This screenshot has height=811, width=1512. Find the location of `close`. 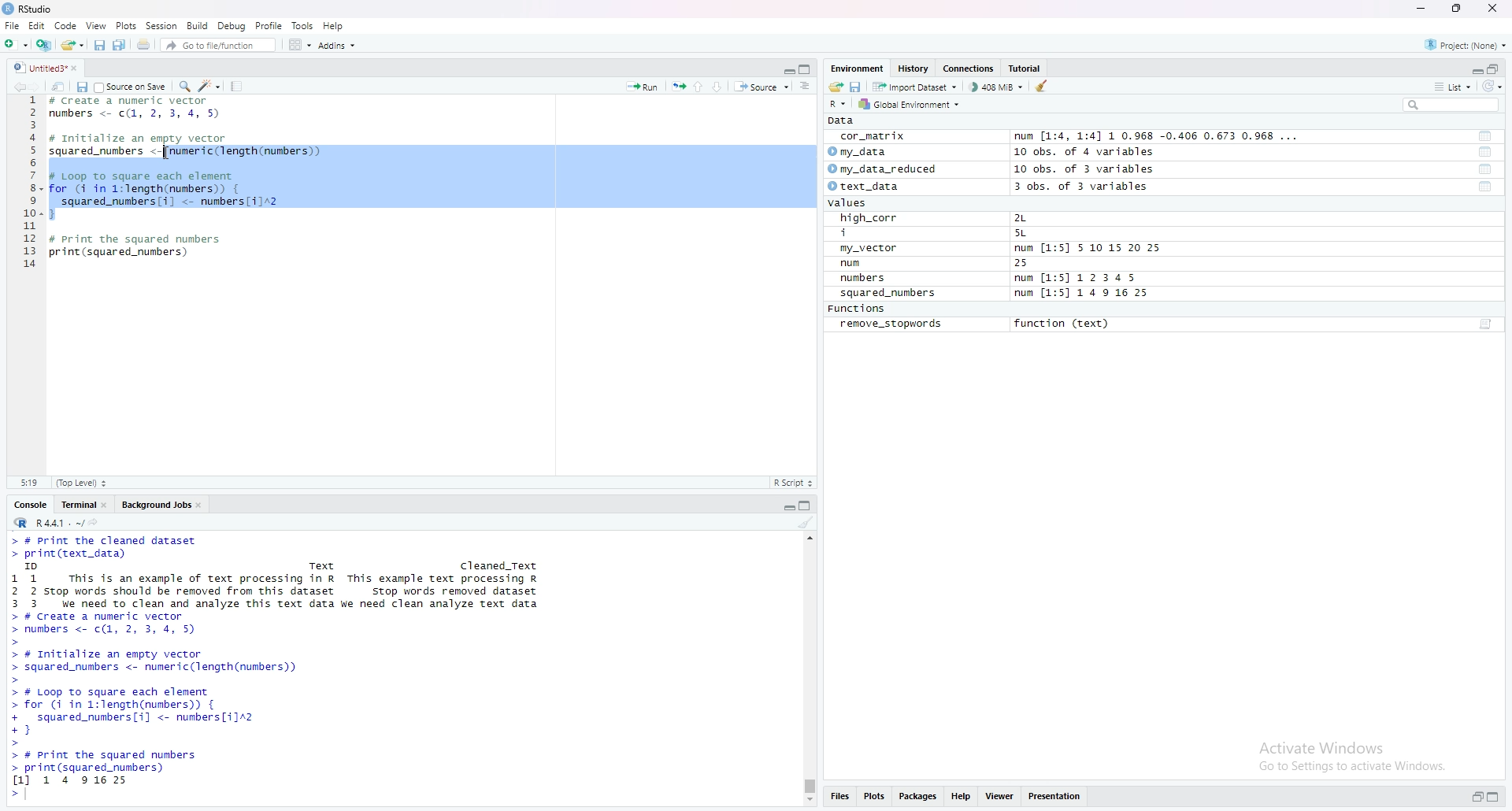

close is located at coordinates (202, 503).